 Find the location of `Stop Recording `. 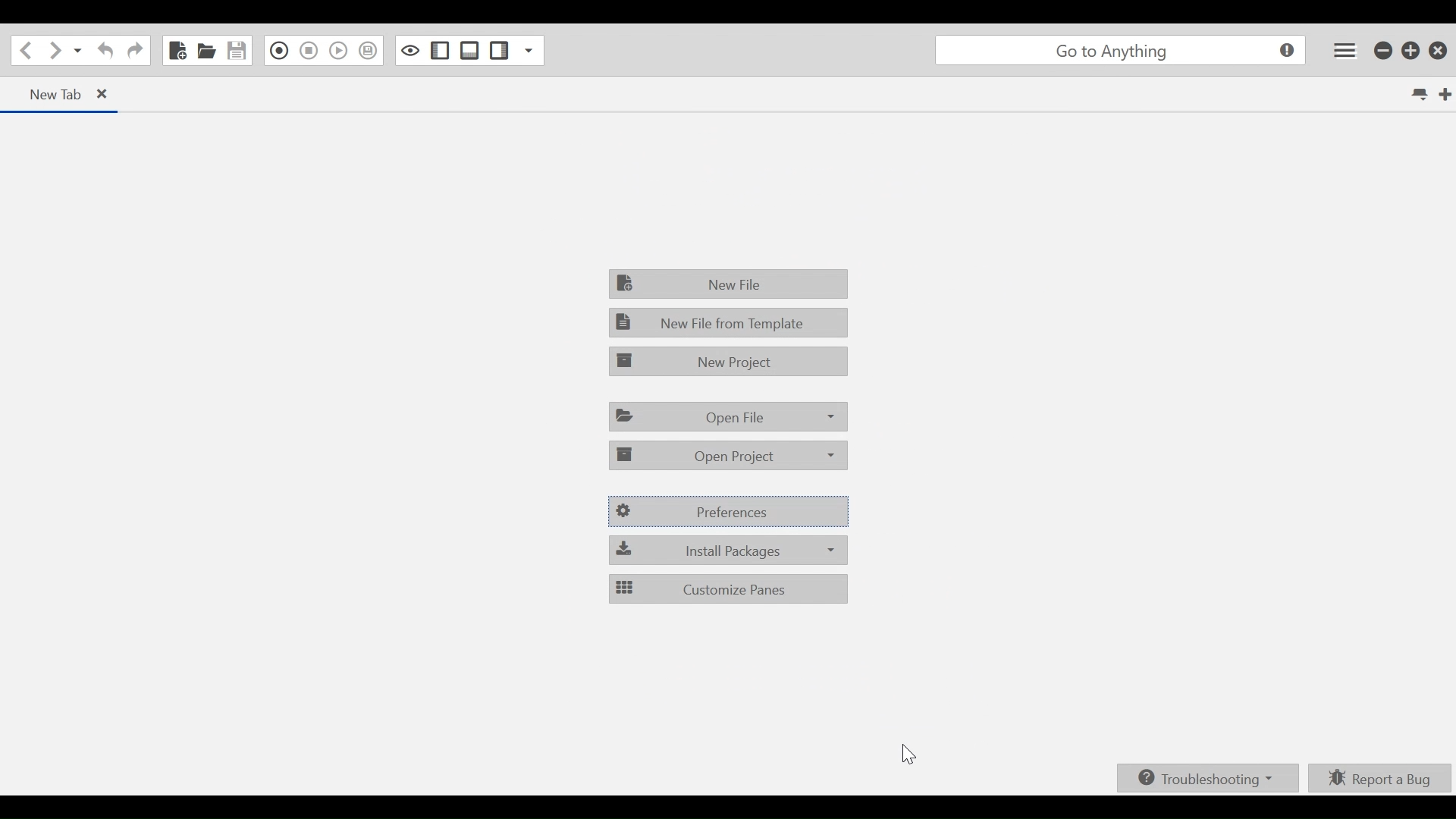

Stop Recording  is located at coordinates (309, 52).